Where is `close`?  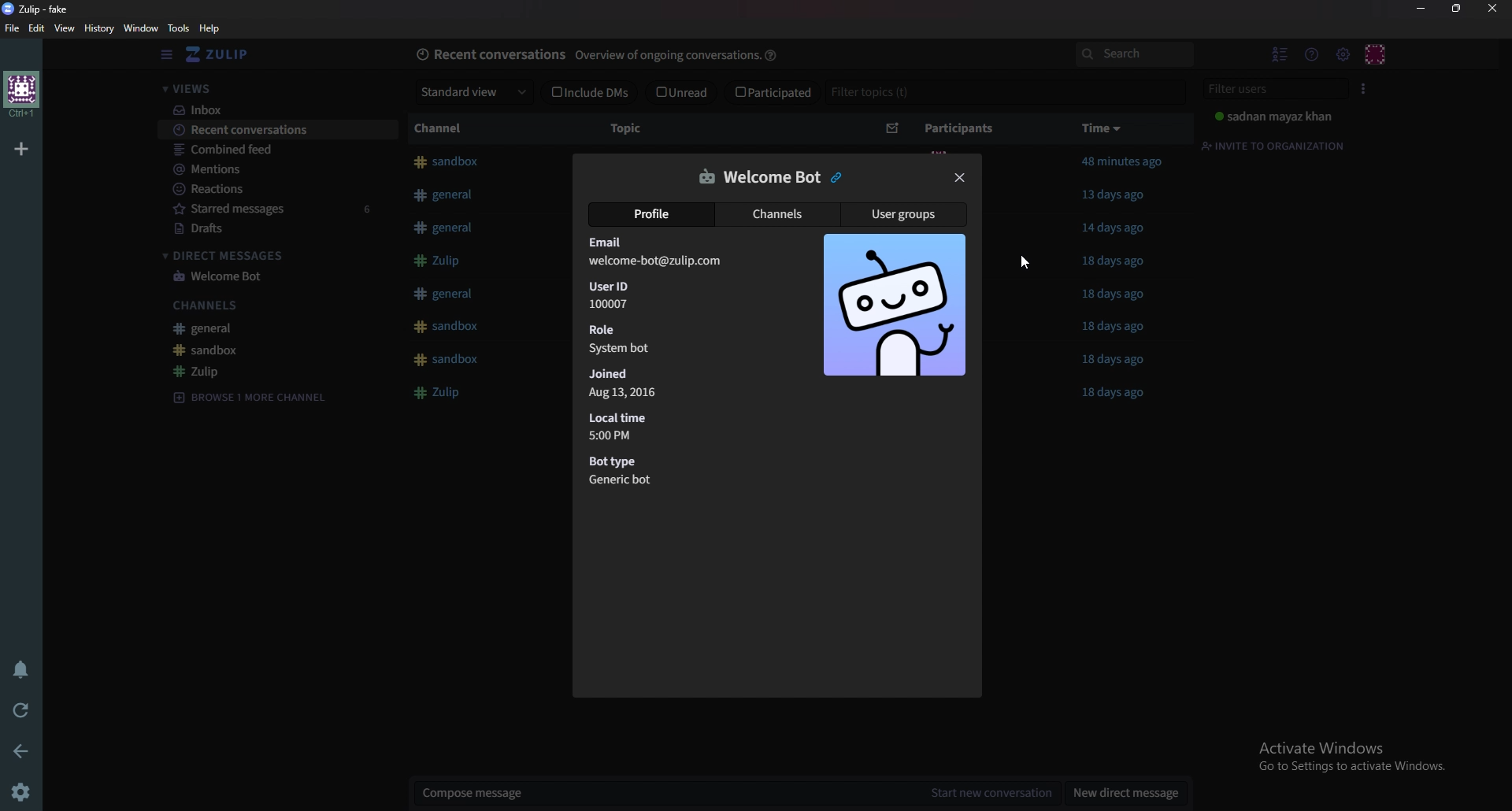 close is located at coordinates (1492, 10).